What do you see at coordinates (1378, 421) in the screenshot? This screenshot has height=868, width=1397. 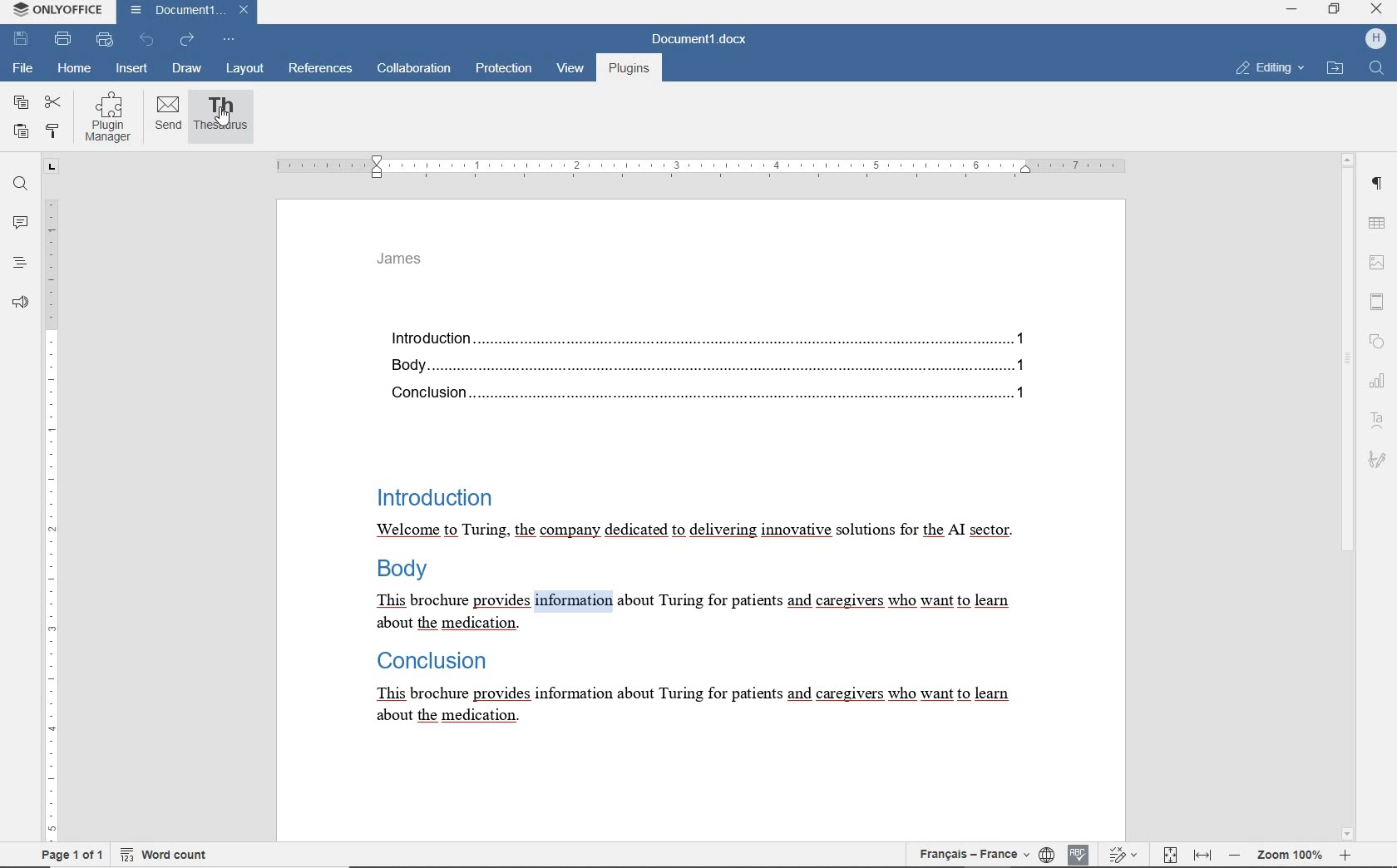 I see `TEXT ART` at bounding box center [1378, 421].